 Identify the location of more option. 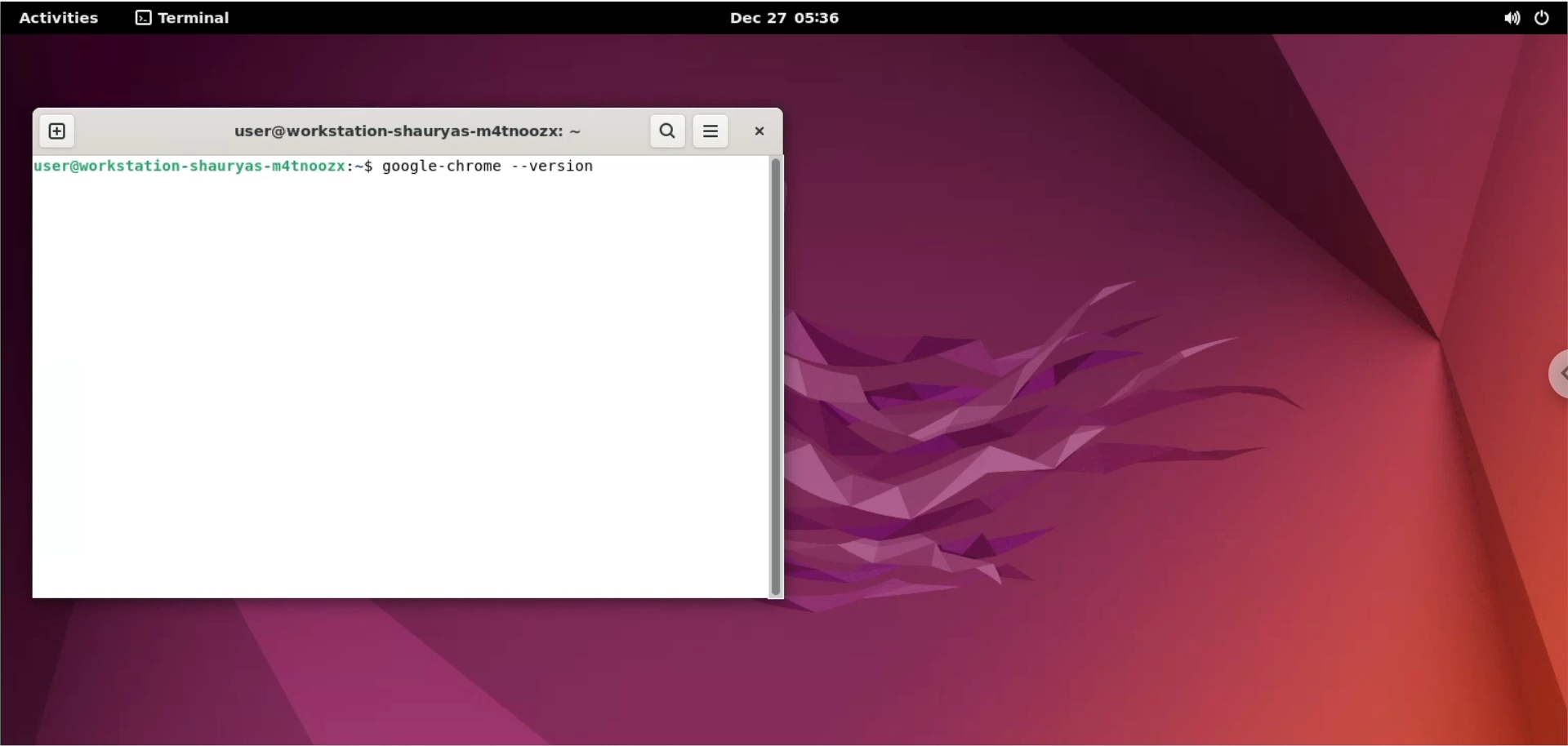
(715, 134).